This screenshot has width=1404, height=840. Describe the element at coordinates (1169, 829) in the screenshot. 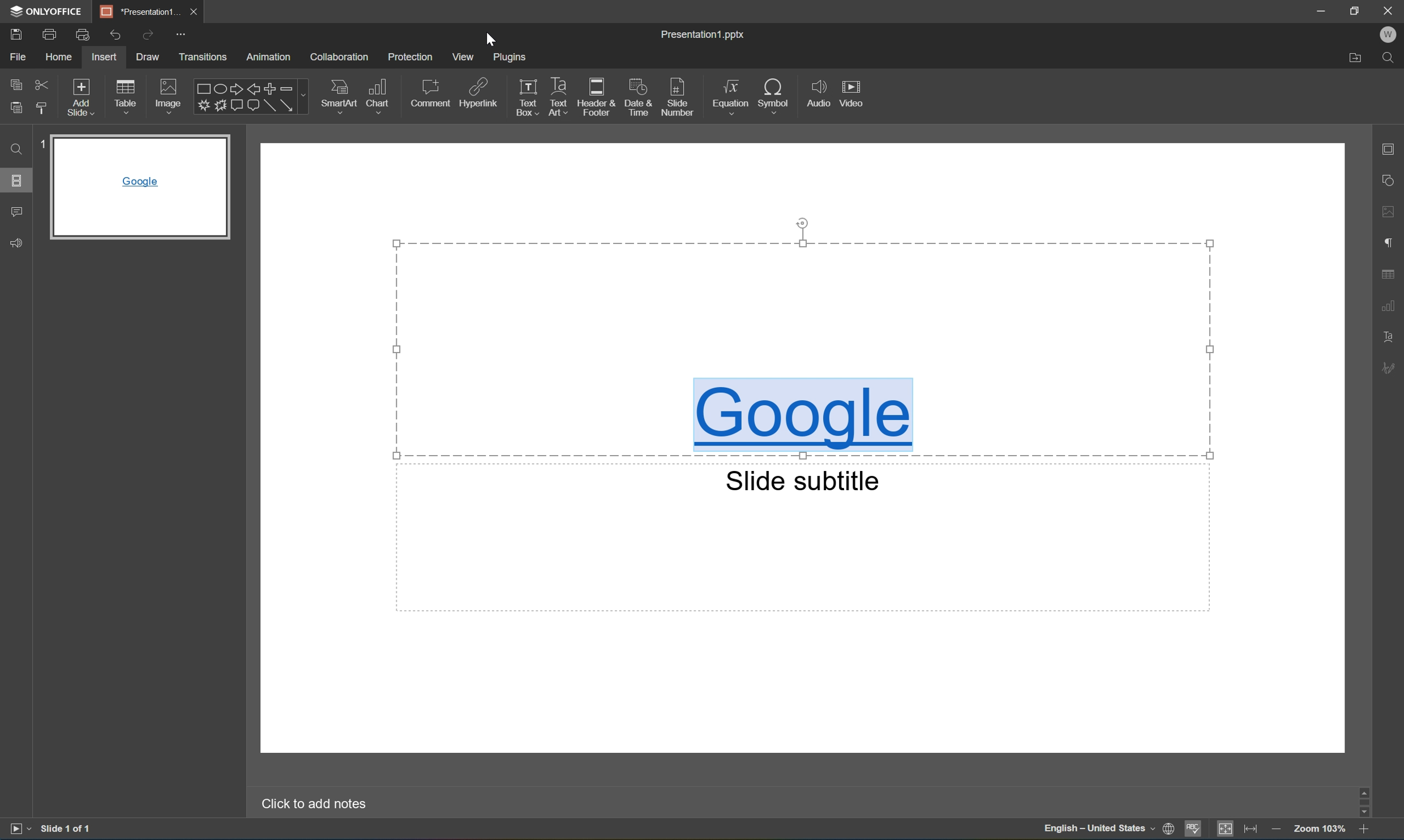

I see `Set document language` at that location.